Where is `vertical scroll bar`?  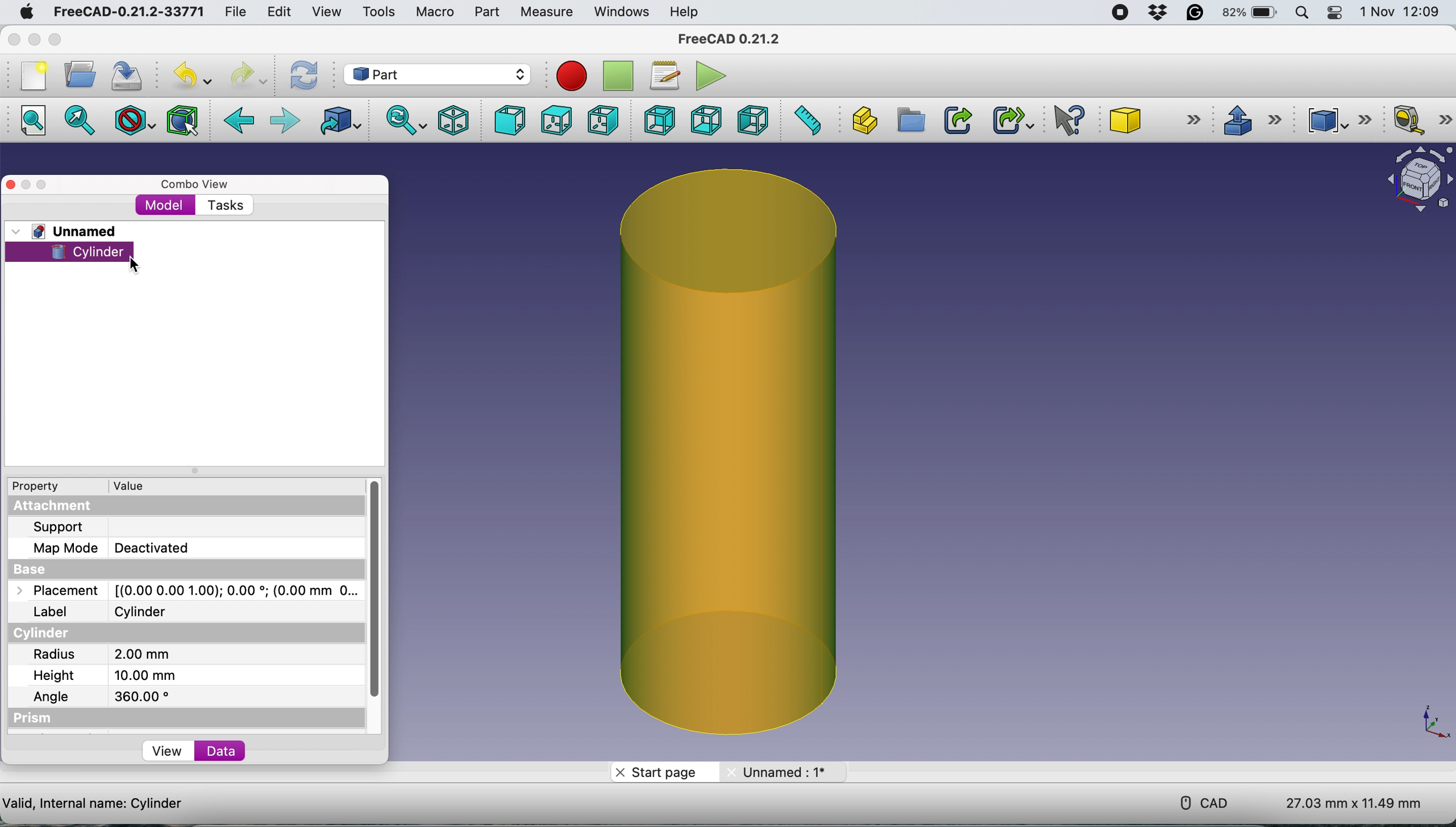 vertical scroll bar is located at coordinates (367, 591).